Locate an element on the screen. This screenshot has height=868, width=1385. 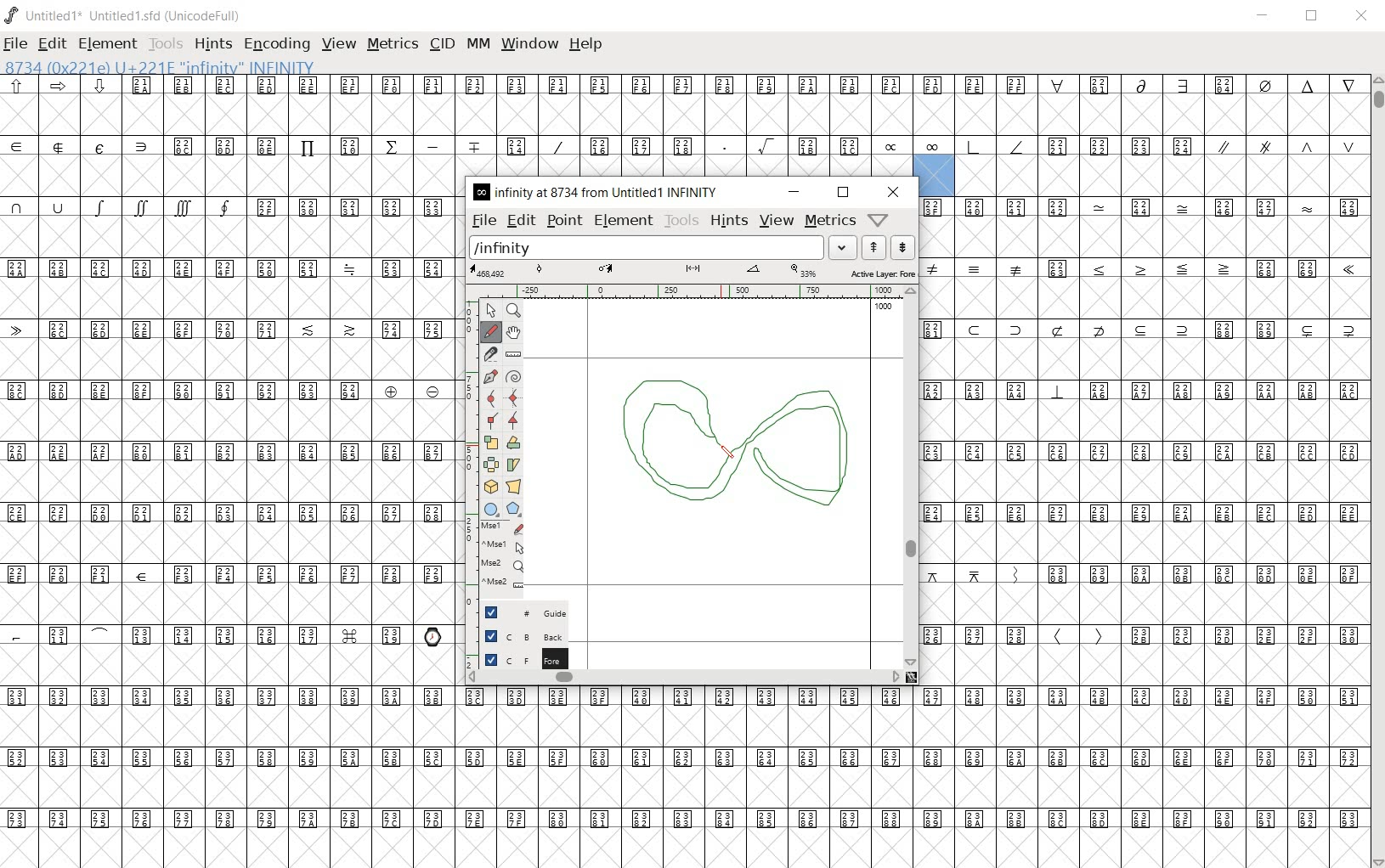
point is located at coordinates (563, 221).